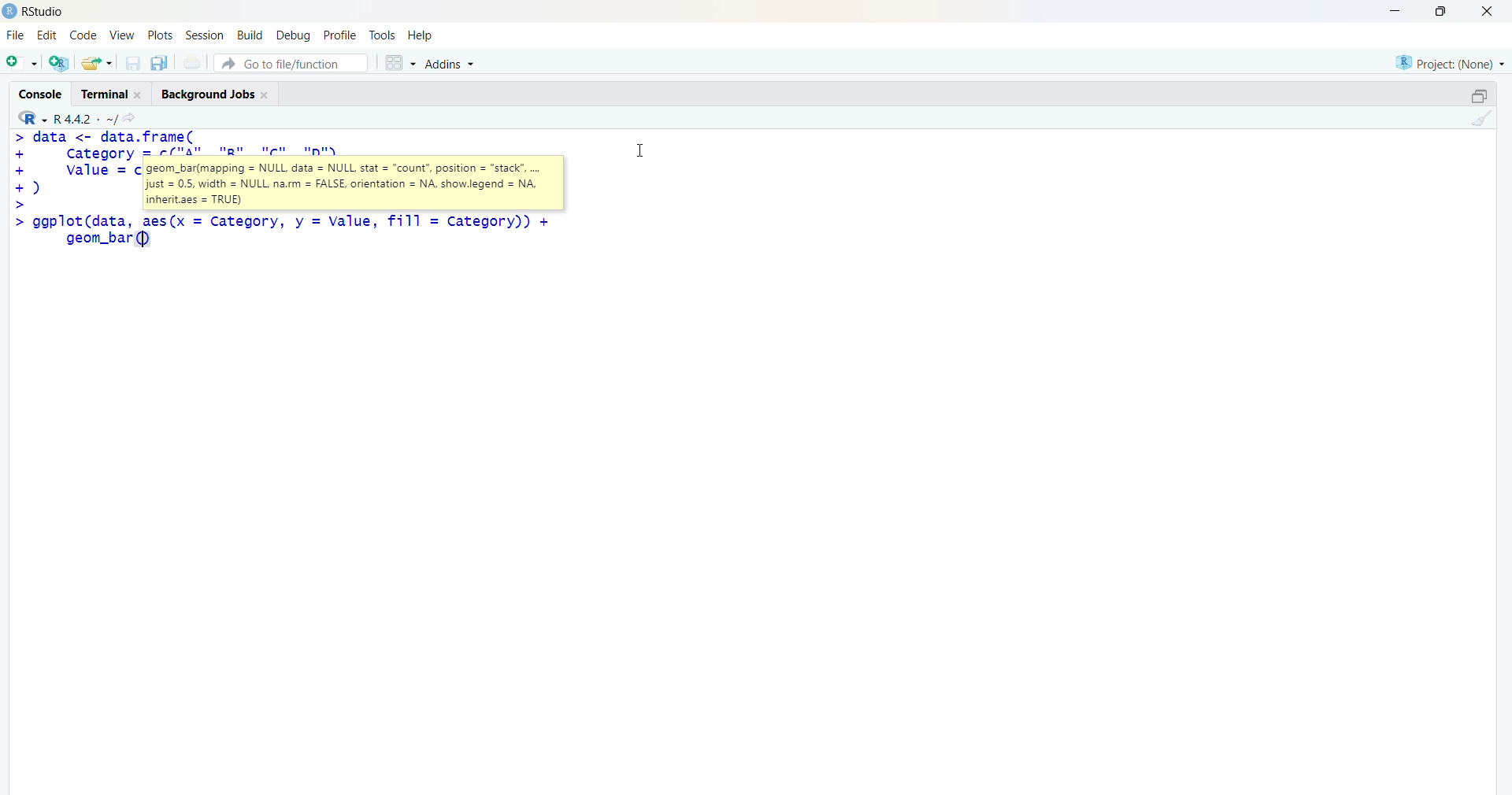 This screenshot has width=1512, height=795. I want to click on minimize, so click(1400, 11).